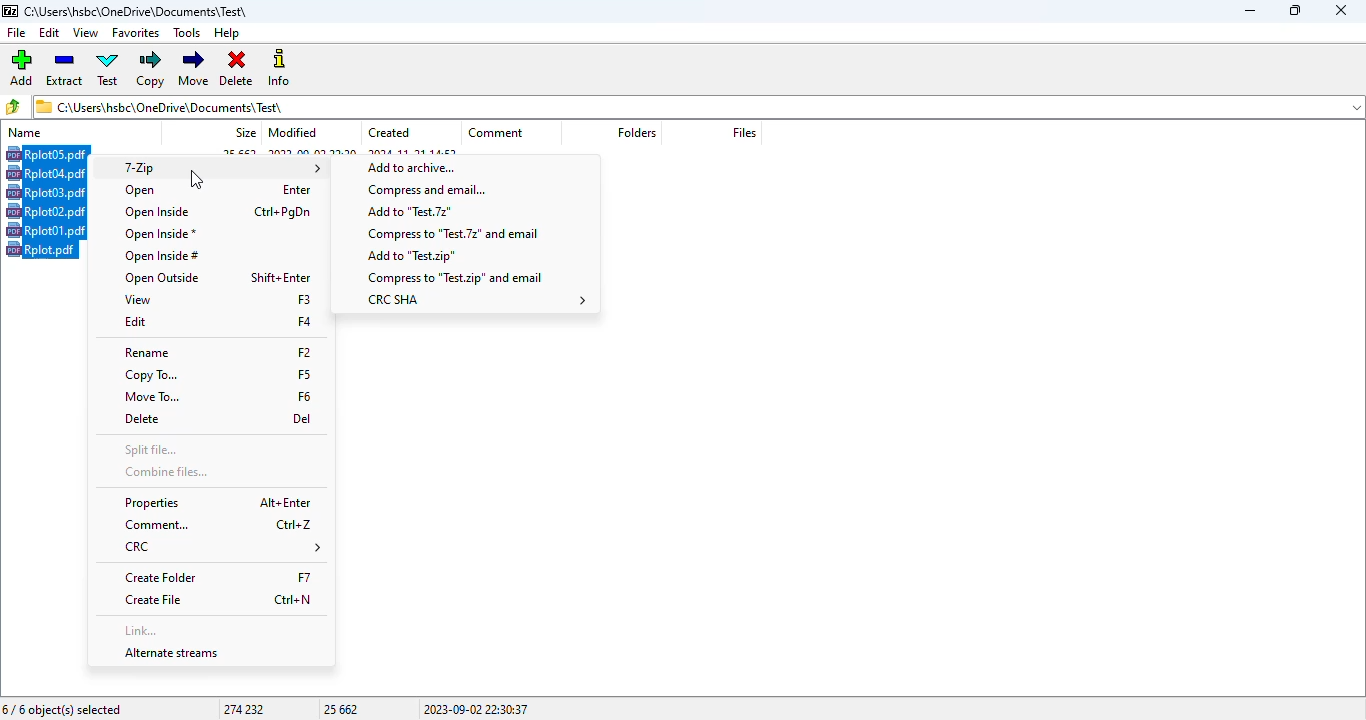  What do you see at coordinates (429, 190) in the screenshot?
I see `compress and email` at bounding box center [429, 190].